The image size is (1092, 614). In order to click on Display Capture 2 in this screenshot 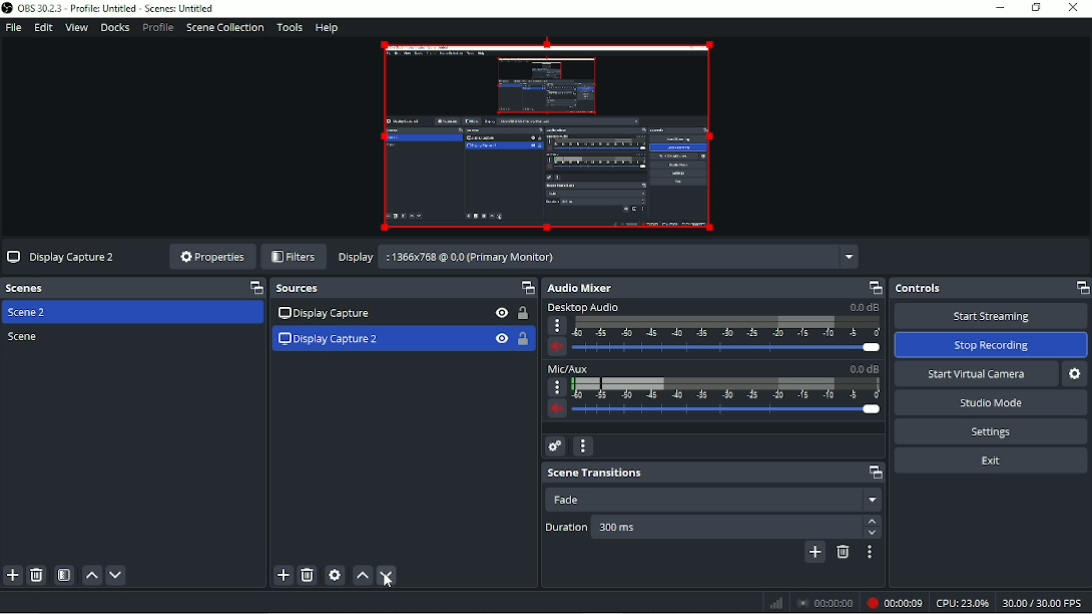, I will do `click(63, 258)`.